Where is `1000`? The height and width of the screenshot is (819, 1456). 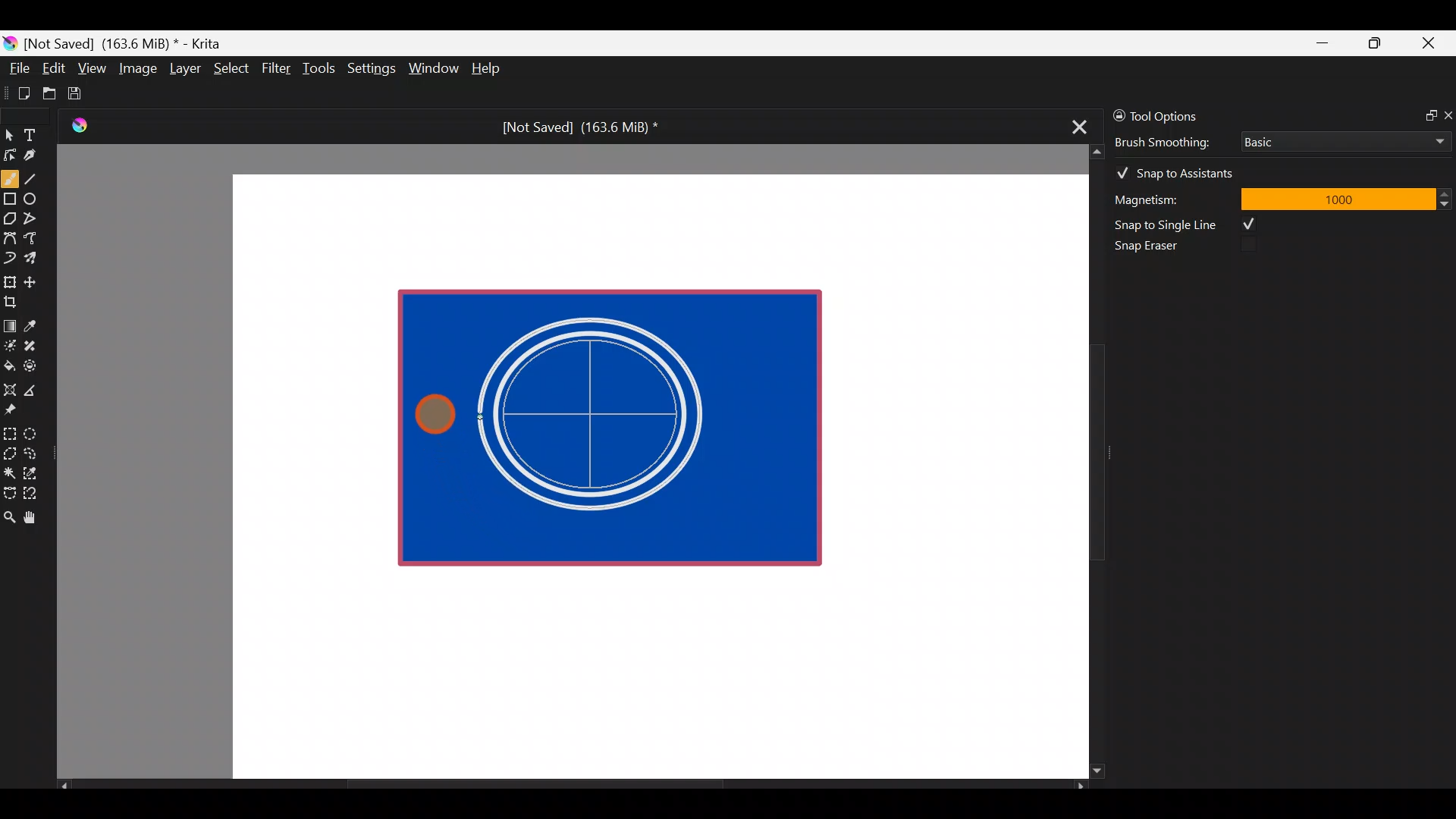 1000 is located at coordinates (1337, 198).